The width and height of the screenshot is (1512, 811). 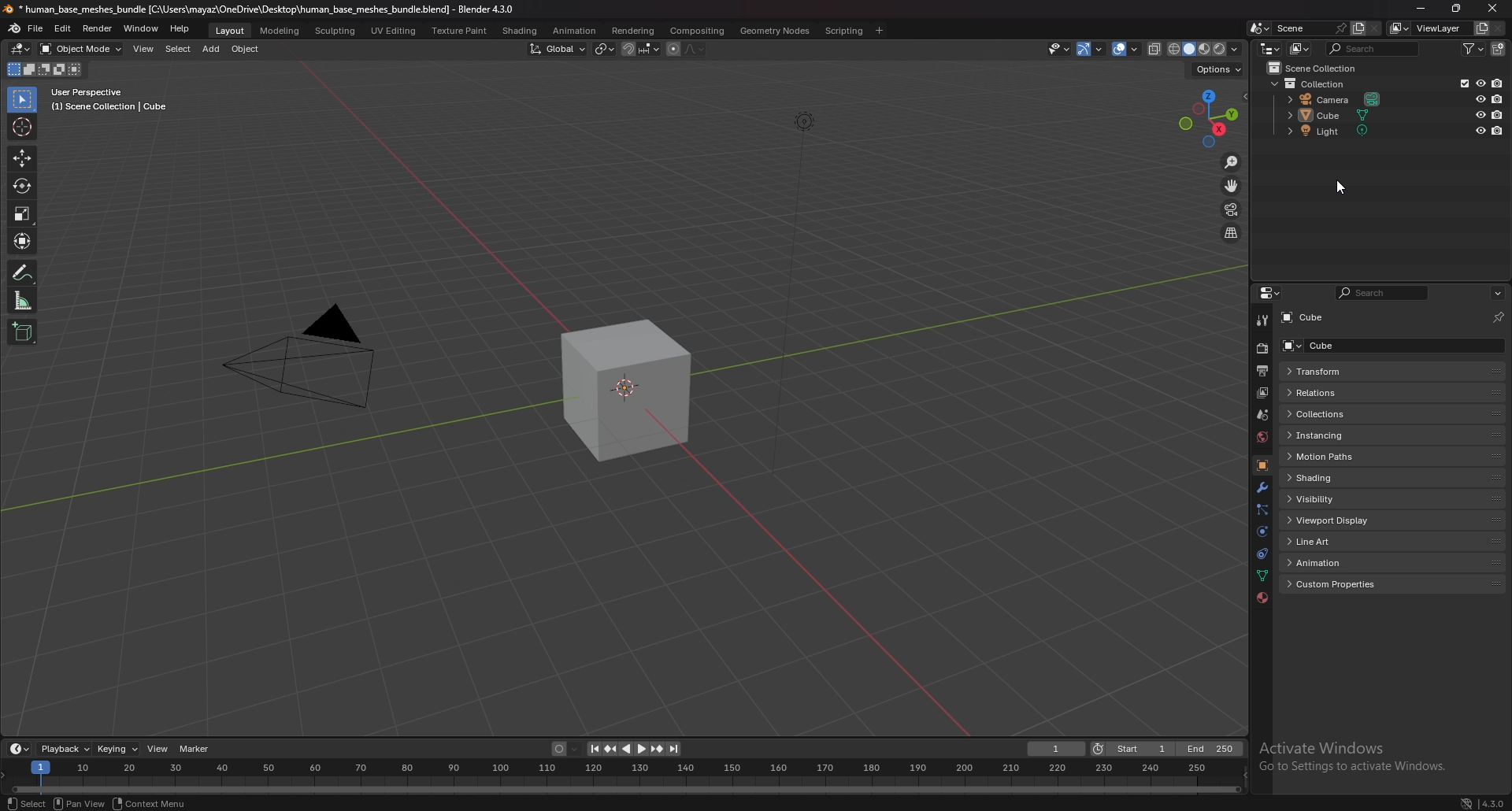 I want to click on viewport shading, so click(x=1196, y=48).